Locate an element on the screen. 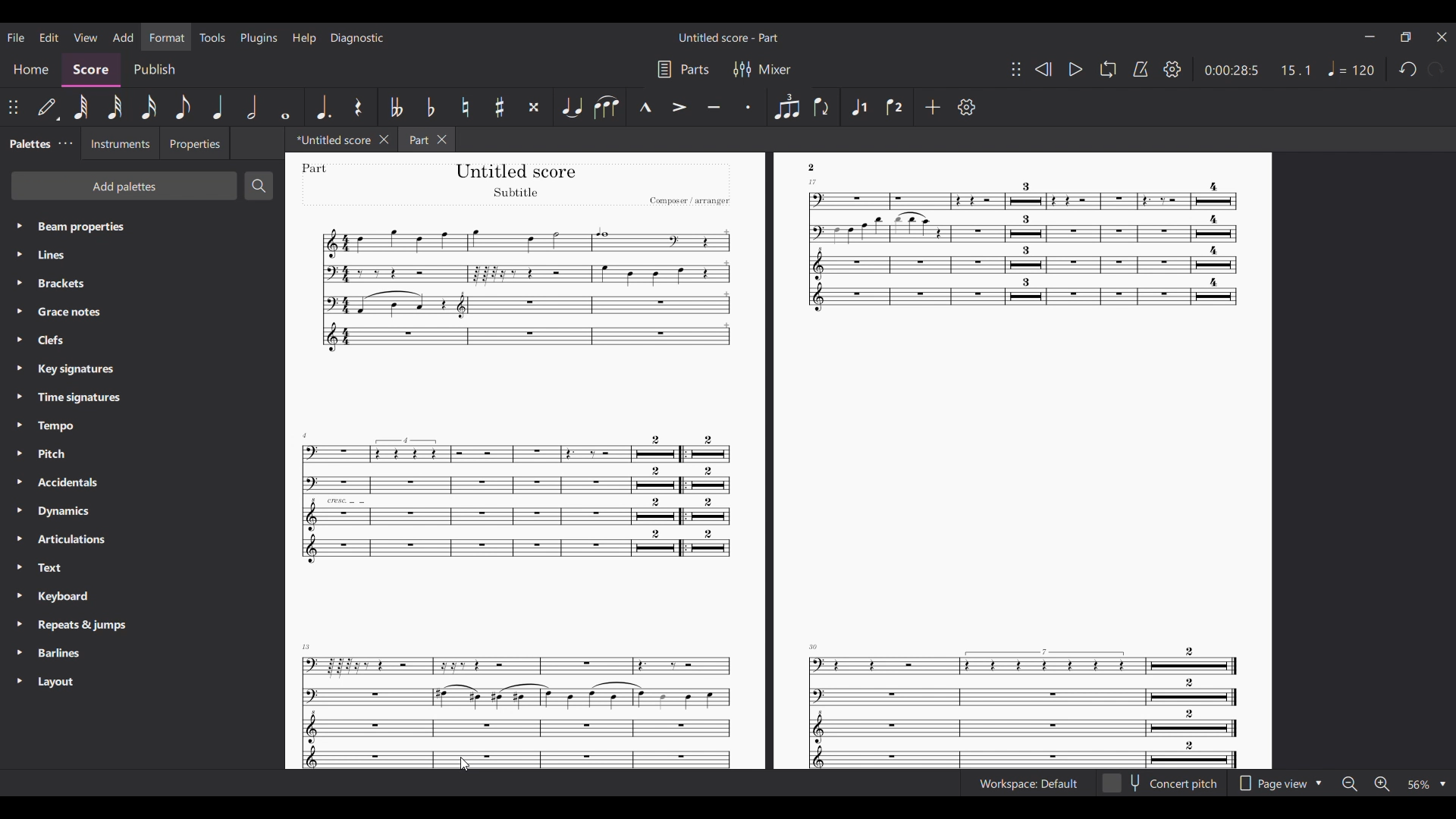 This screenshot has width=1456, height=819. 16th note is located at coordinates (149, 106).